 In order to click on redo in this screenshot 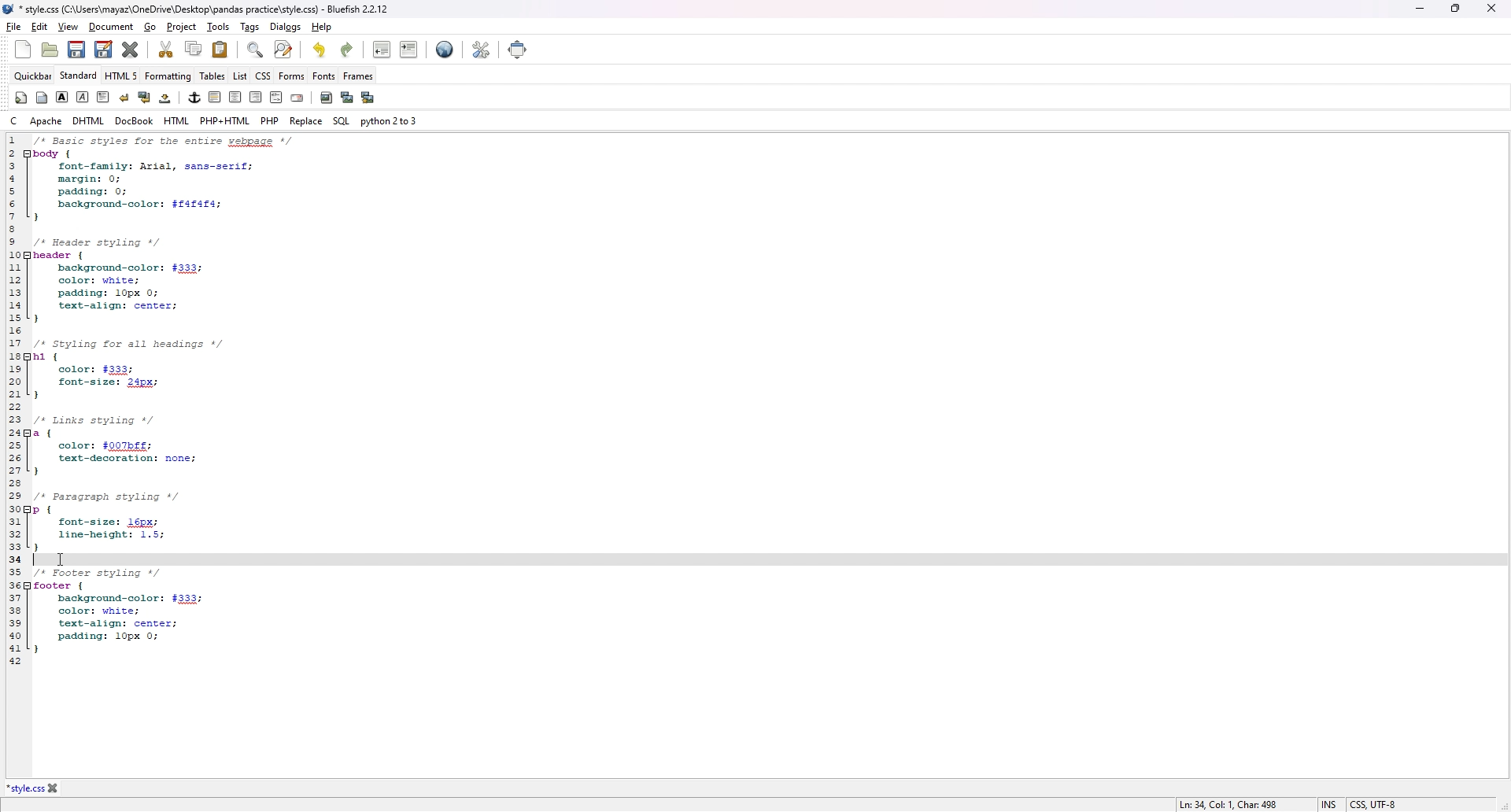, I will do `click(348, 50)`.